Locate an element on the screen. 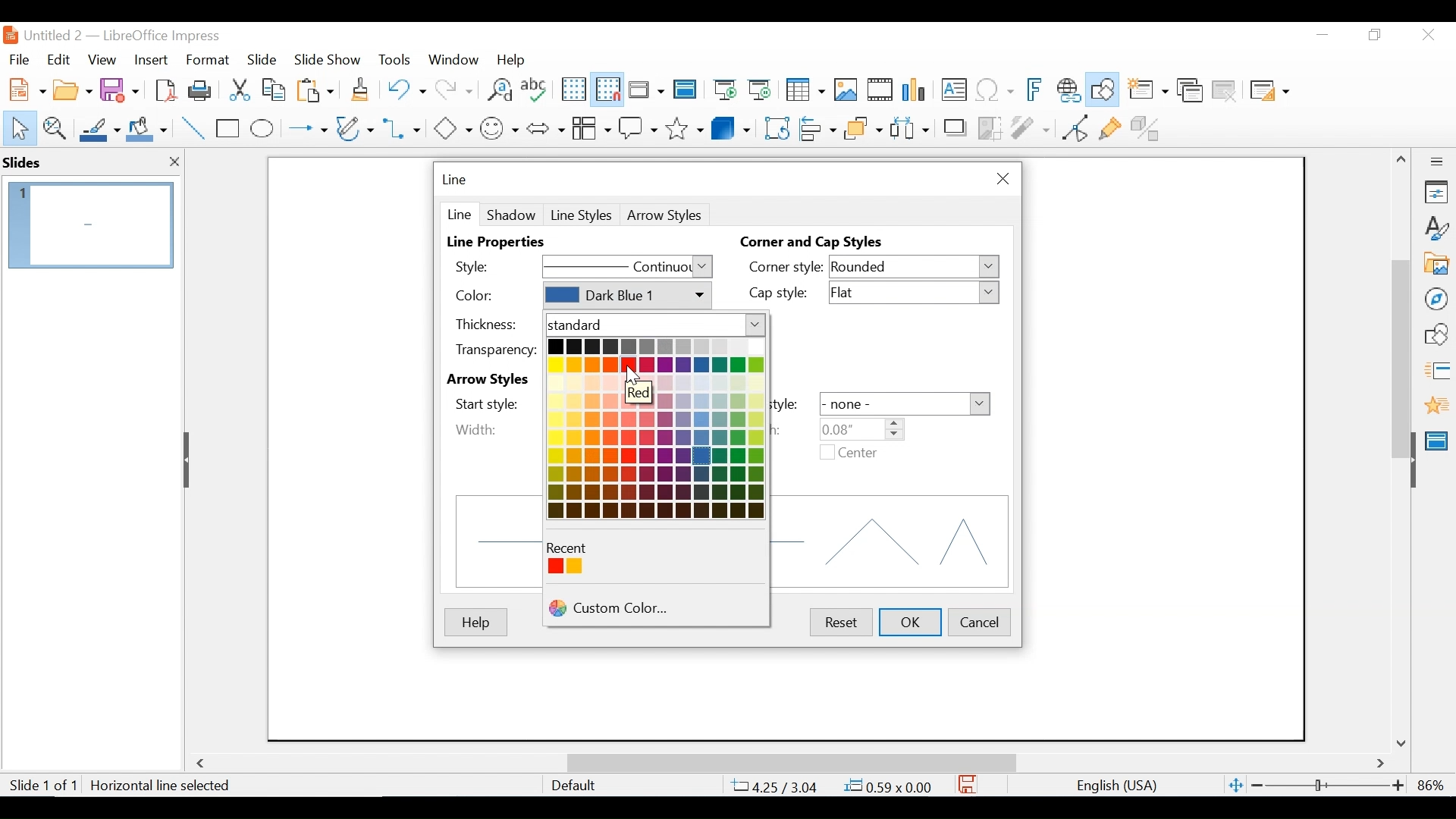 This screenshot has width=1456, height=819. Red is located at coordinates (556, 567).